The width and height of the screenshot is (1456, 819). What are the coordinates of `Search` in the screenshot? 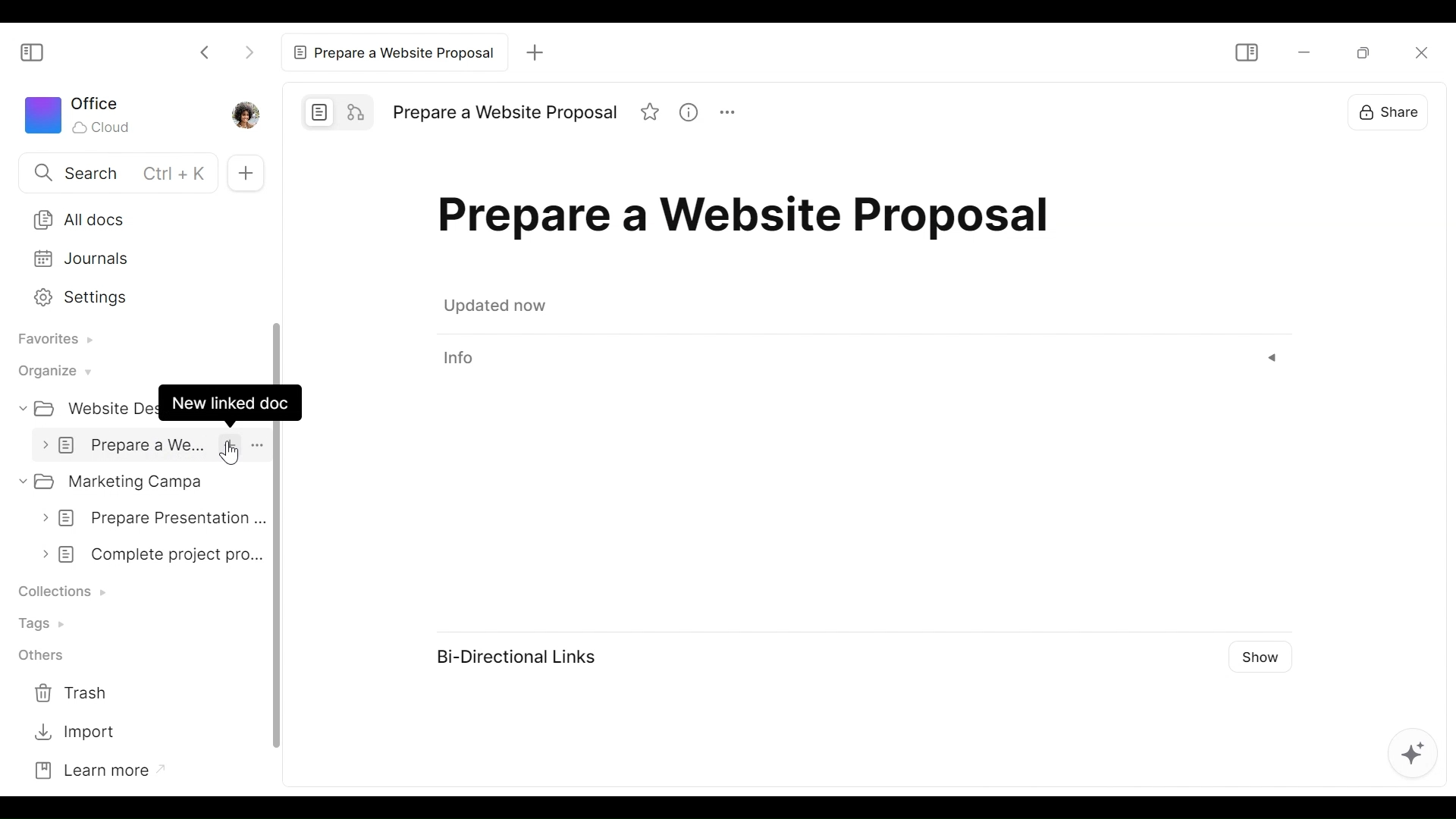 It's located at (108, 171).